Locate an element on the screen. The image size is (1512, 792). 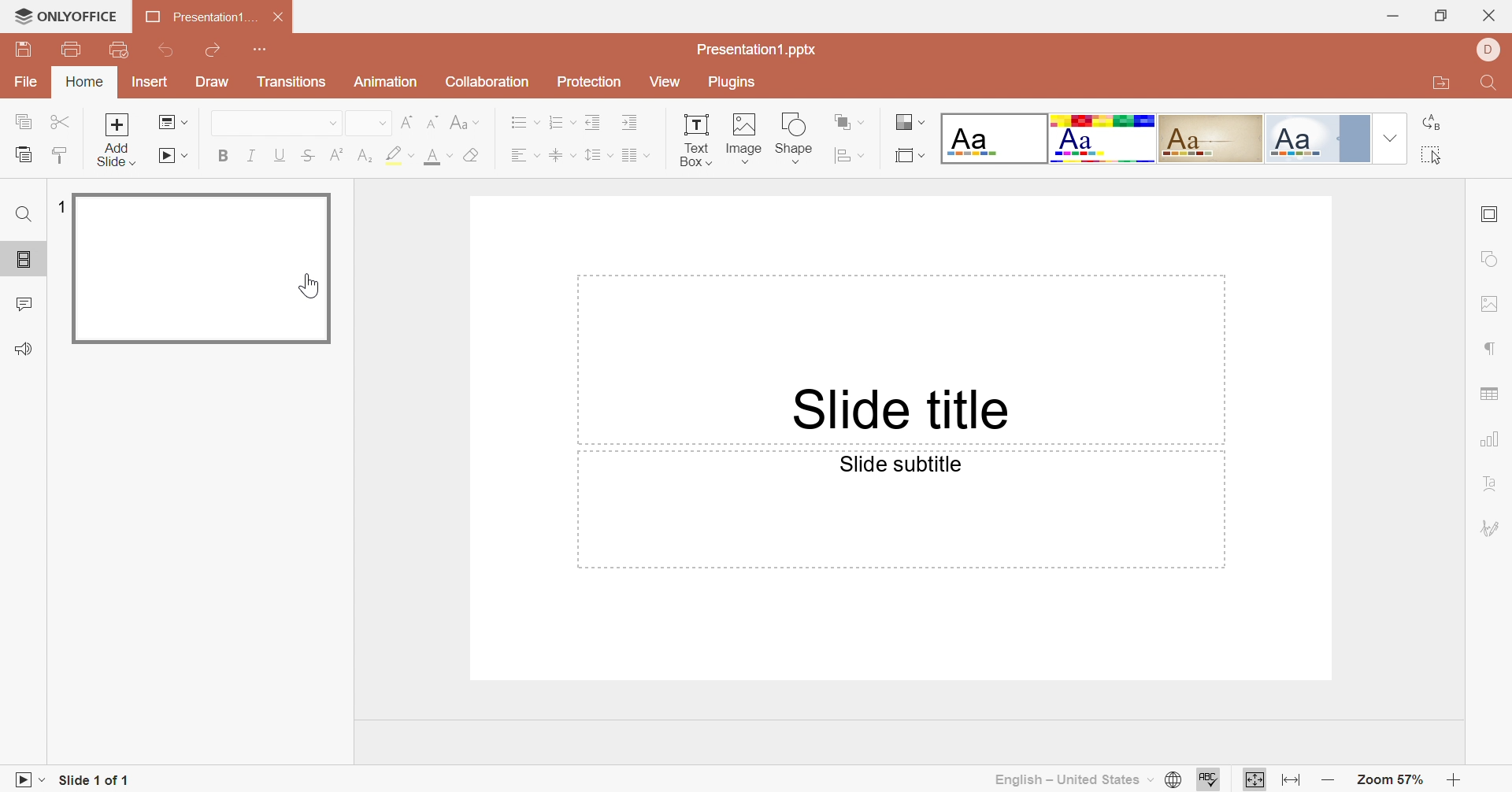
Numbering is located at coordinates (557, 120).